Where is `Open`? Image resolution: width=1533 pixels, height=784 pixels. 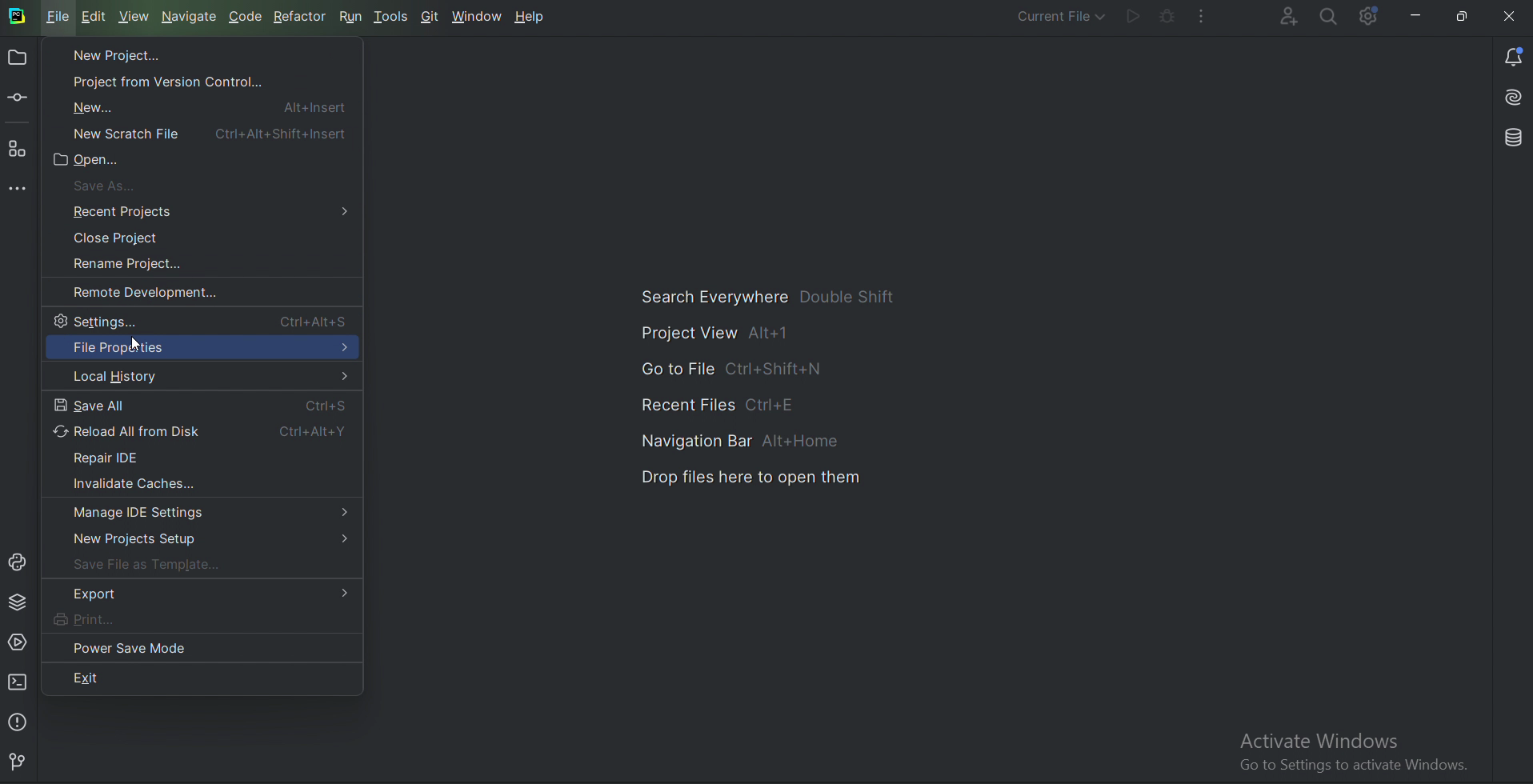 Open is located at coordinates (96, 162).